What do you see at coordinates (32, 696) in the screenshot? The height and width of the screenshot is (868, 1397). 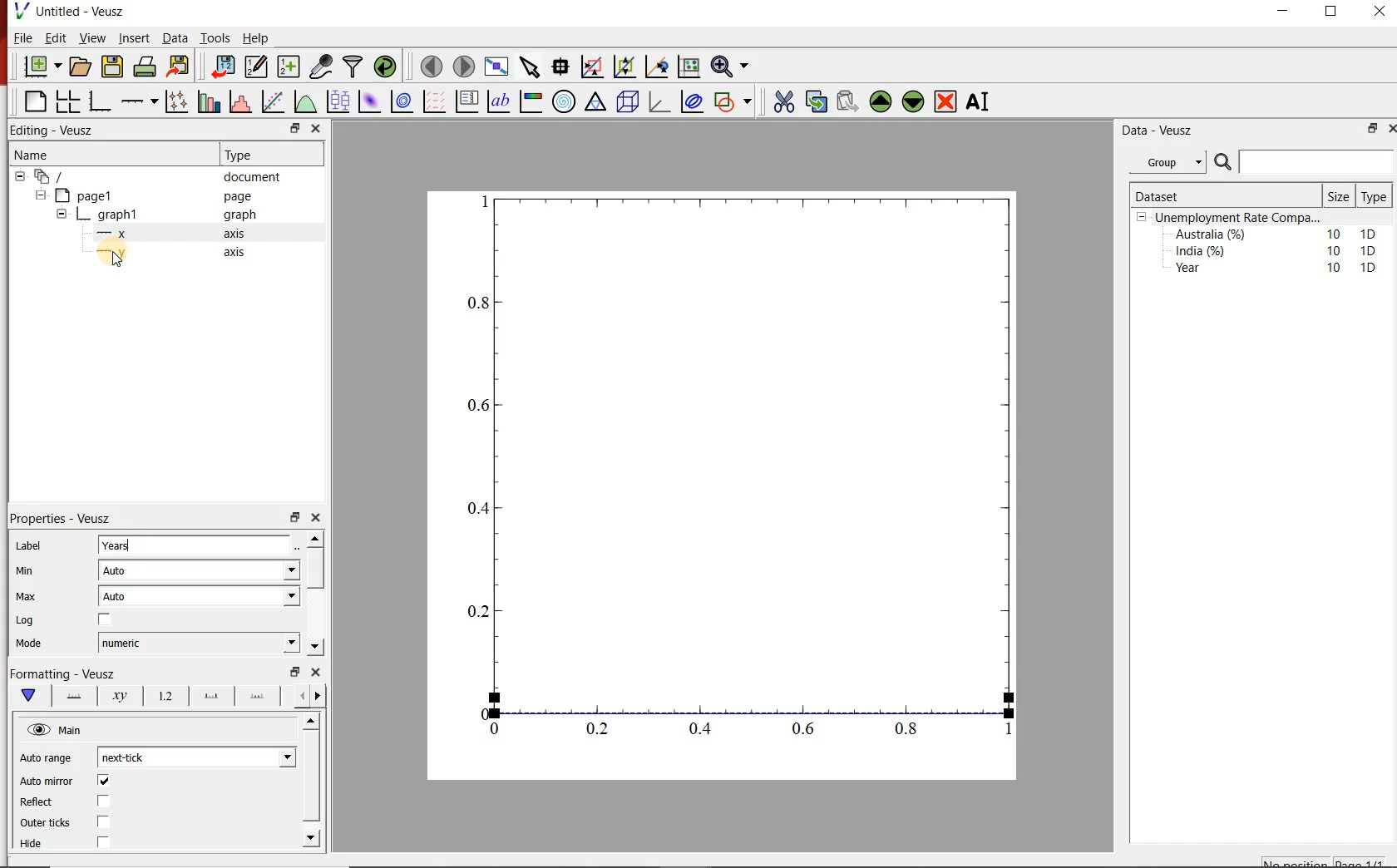 I see `main` at bounding box center [32, 696].